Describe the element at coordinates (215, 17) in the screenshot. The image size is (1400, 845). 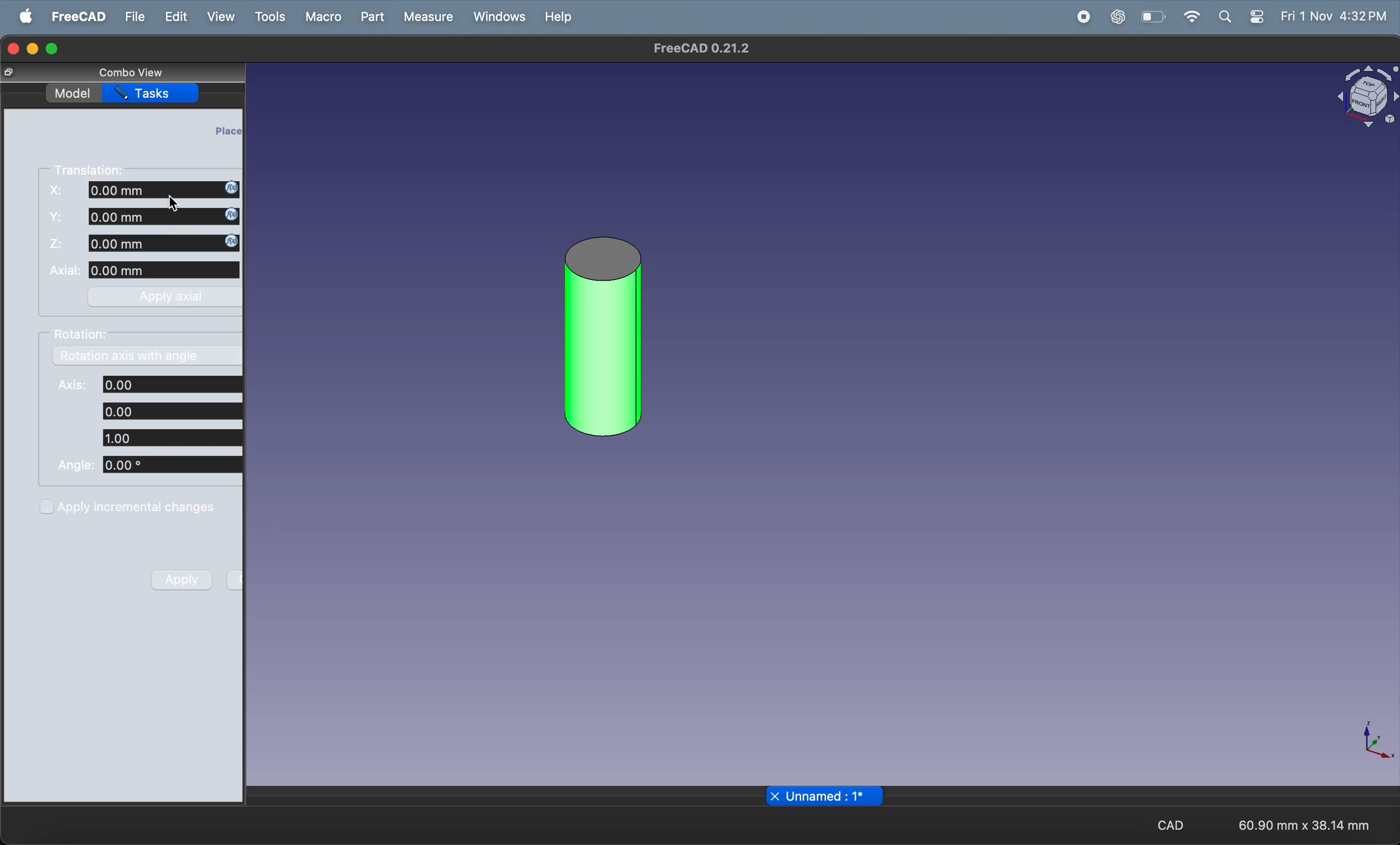
I see `view` at that location.